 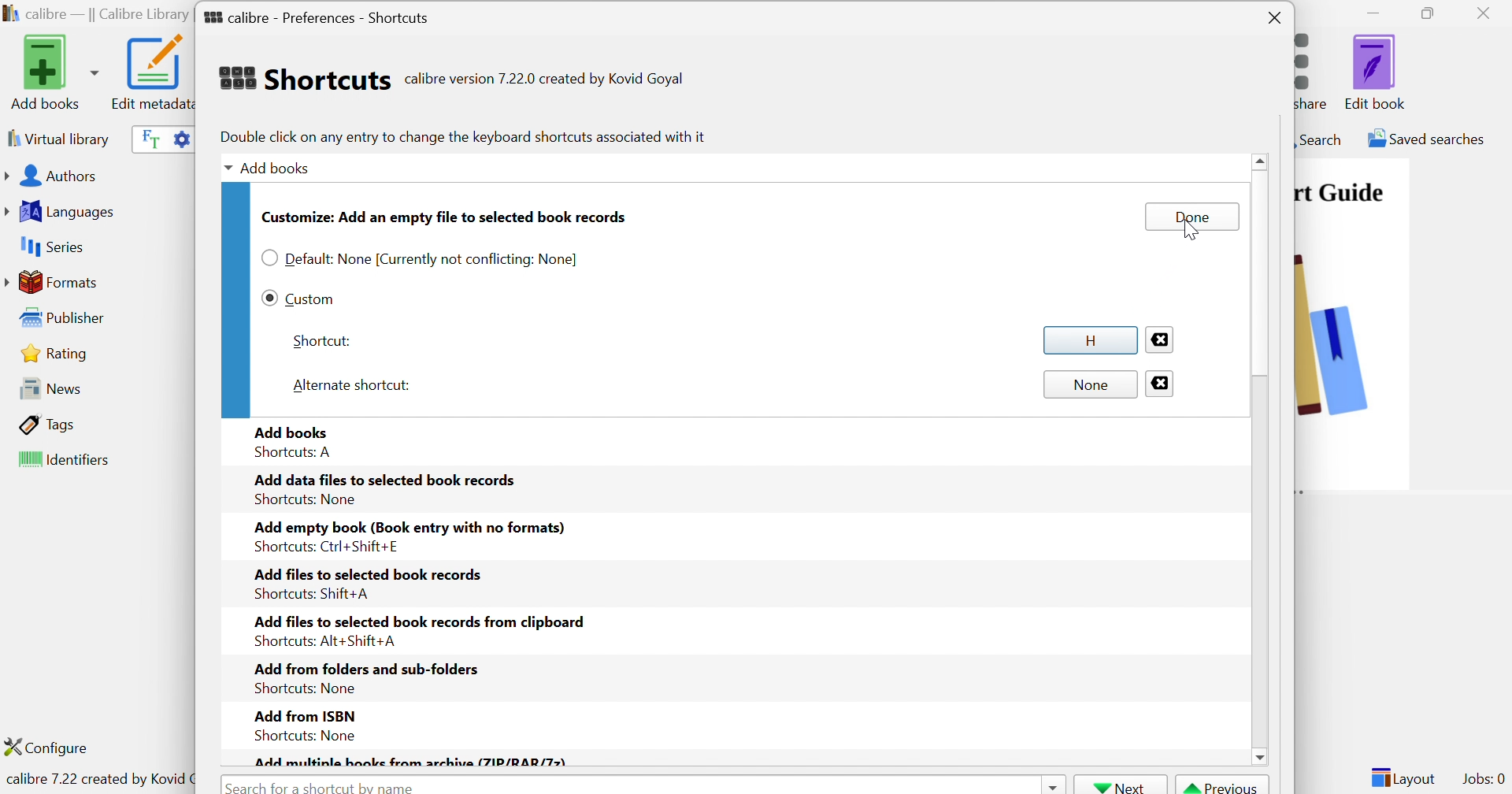 I want to click on Saved searches, so click(x=1425, y=139).